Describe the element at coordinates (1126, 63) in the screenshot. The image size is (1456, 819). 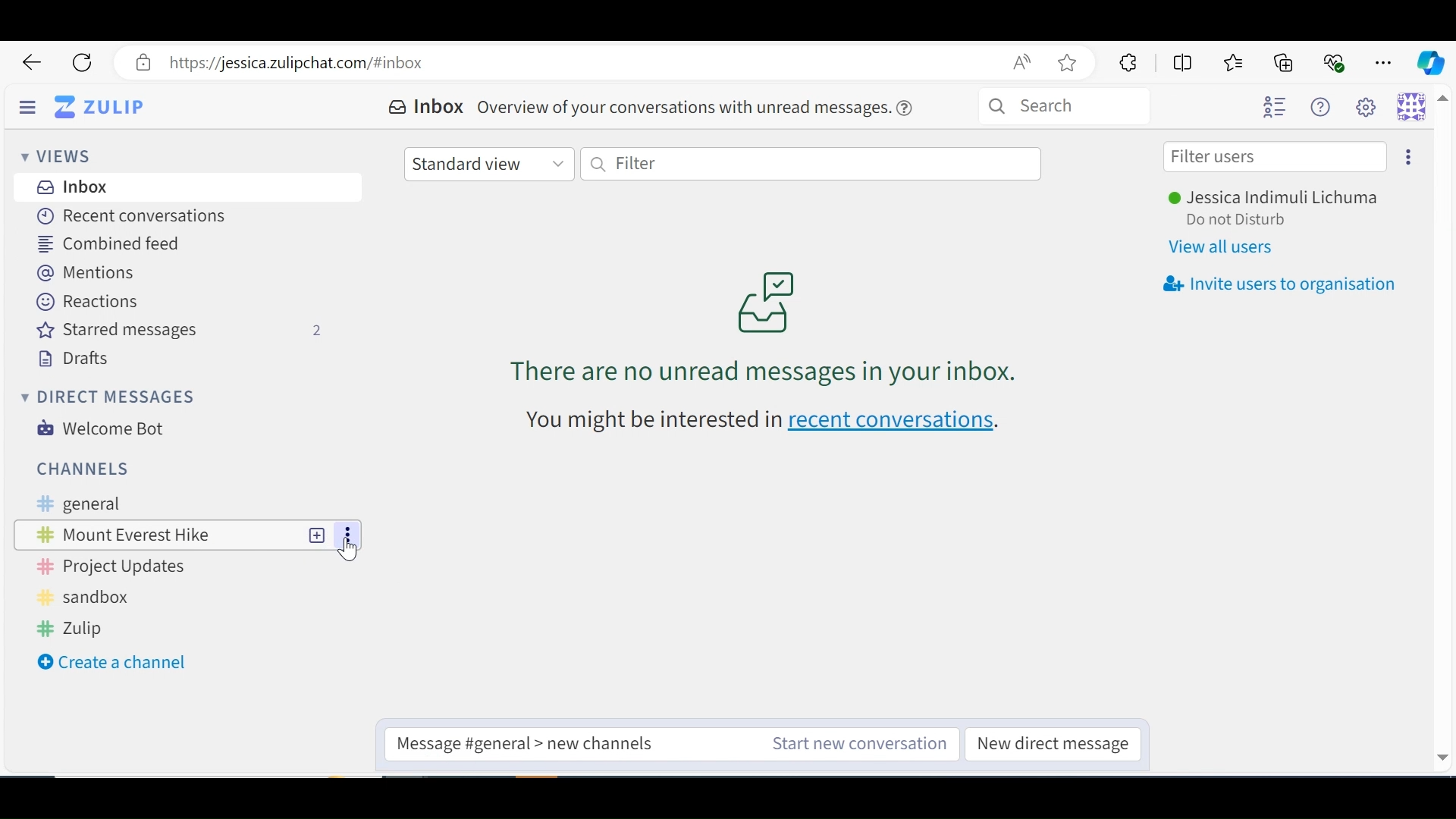
I see `Extensions` at that location.